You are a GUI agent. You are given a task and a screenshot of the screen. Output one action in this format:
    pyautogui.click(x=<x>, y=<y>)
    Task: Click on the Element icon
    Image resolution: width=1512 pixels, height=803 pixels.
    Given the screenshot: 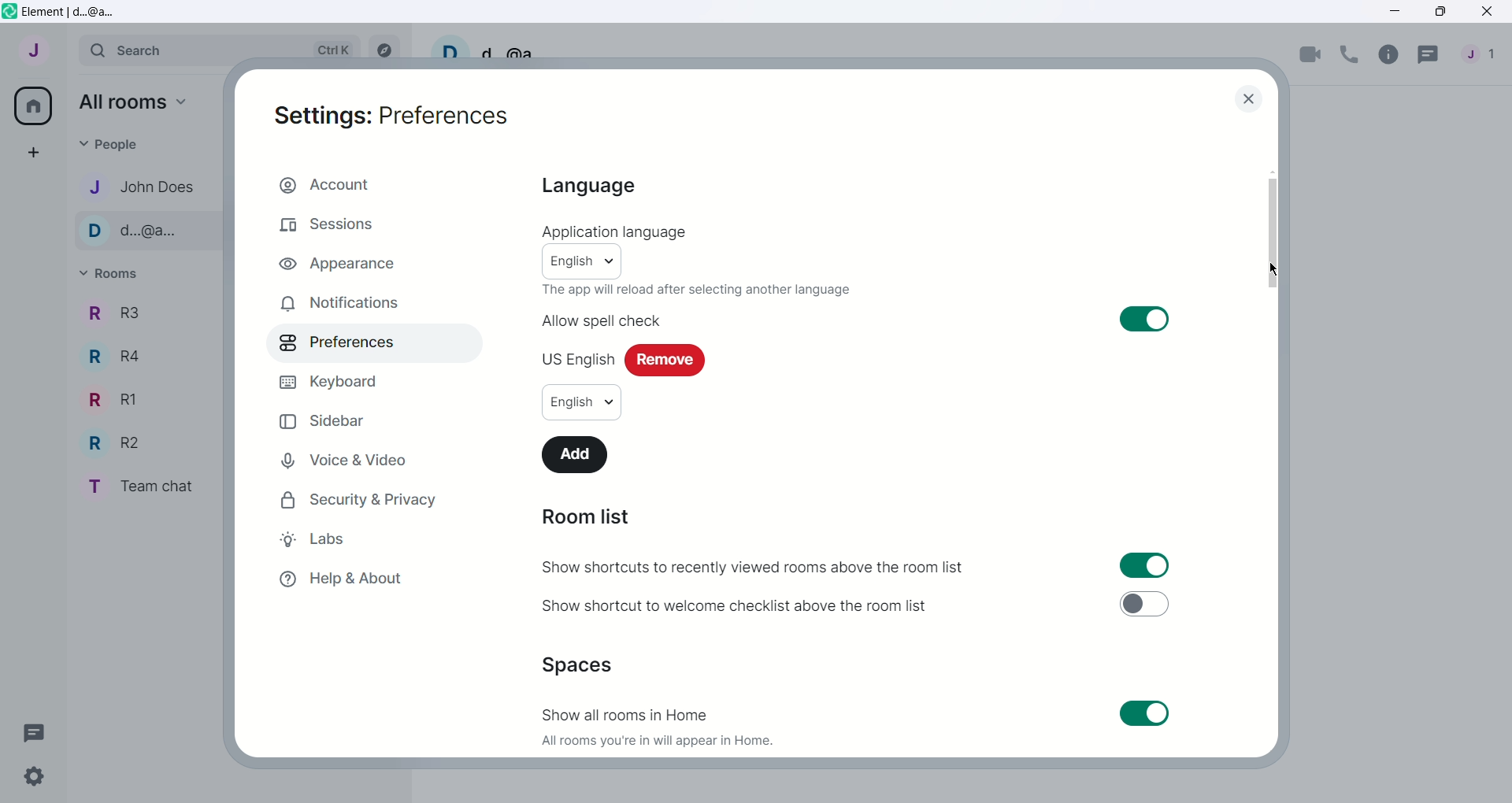 What is the action you would take?
    pyautogui.click(x=9, y=11)
    